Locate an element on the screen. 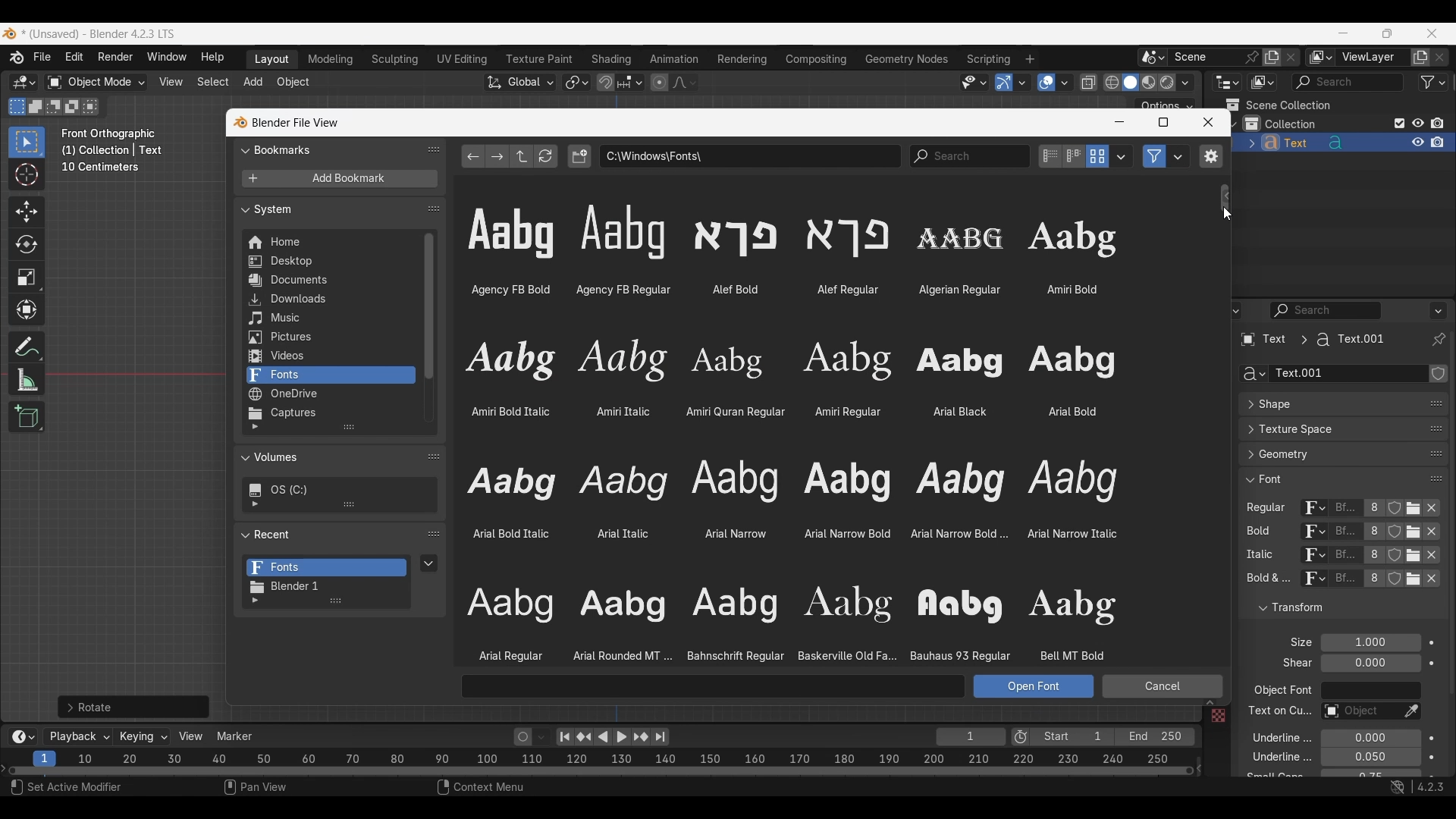  Name or Tag Filter is located at coordinates (970, 156).